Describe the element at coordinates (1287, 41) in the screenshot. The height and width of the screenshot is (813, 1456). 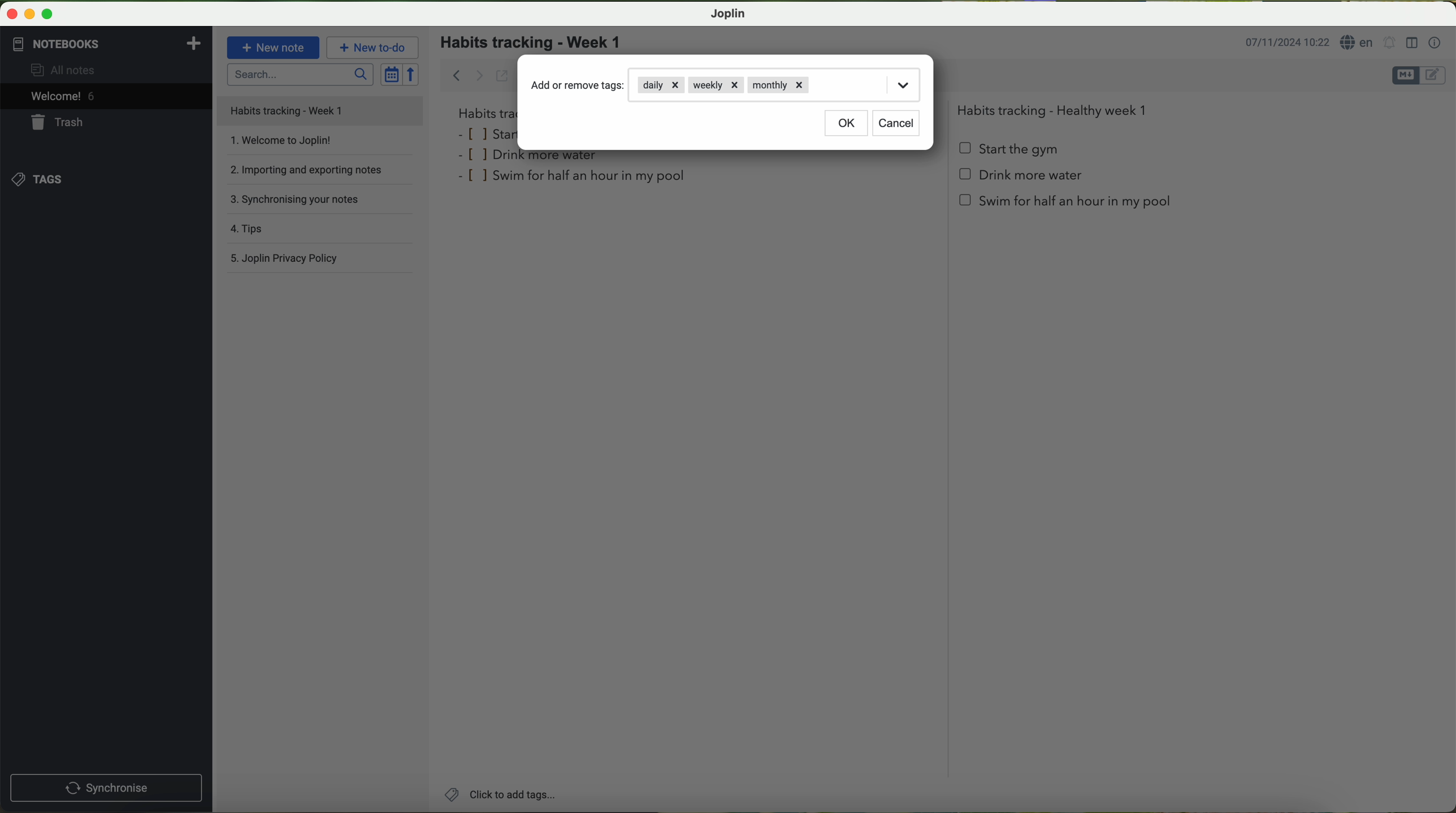
I see `date and hour` at that location.